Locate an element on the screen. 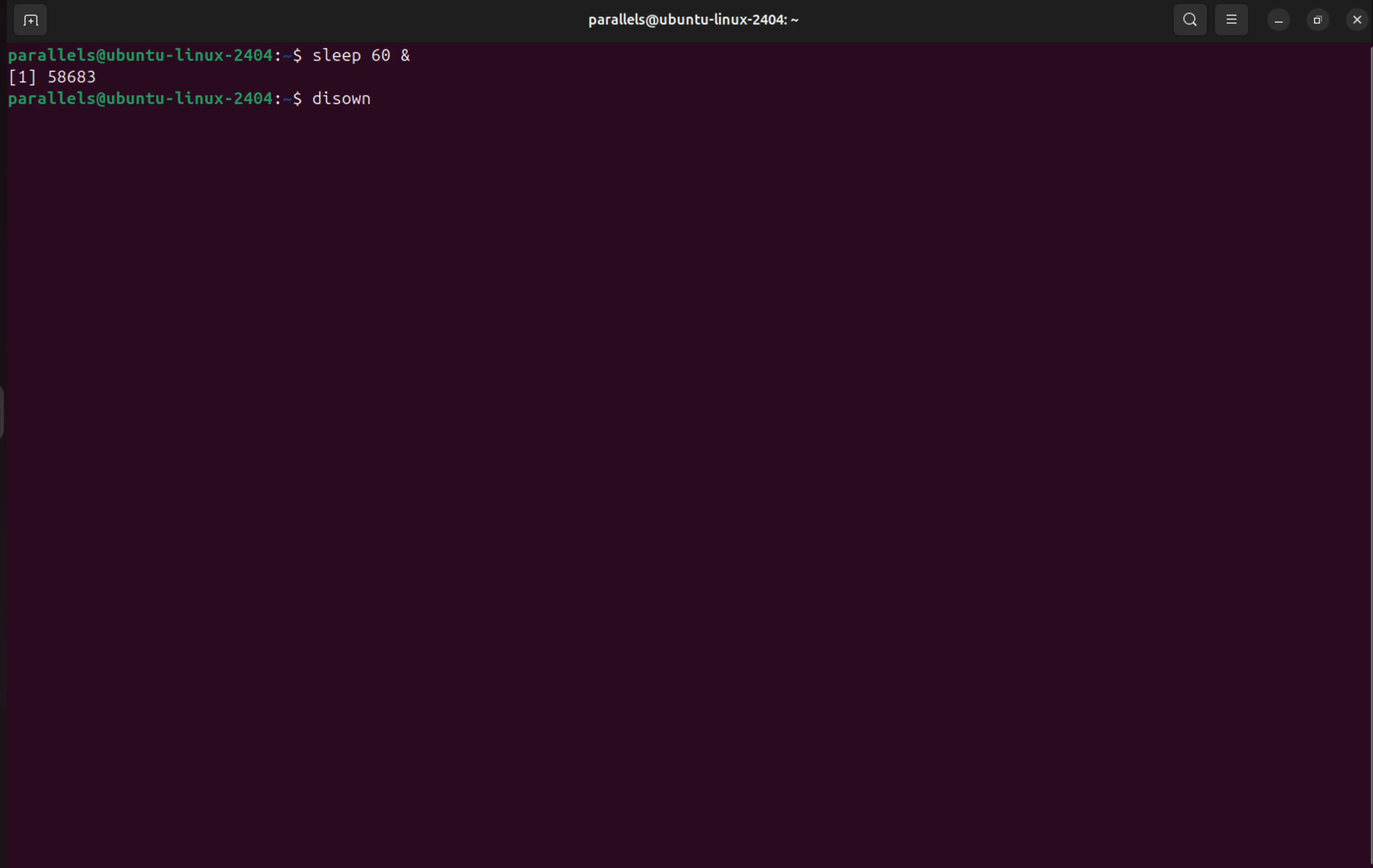 Image resolution: width=1373 pixels, height=868 pixels. resize is located at coordinates (1318, 20).